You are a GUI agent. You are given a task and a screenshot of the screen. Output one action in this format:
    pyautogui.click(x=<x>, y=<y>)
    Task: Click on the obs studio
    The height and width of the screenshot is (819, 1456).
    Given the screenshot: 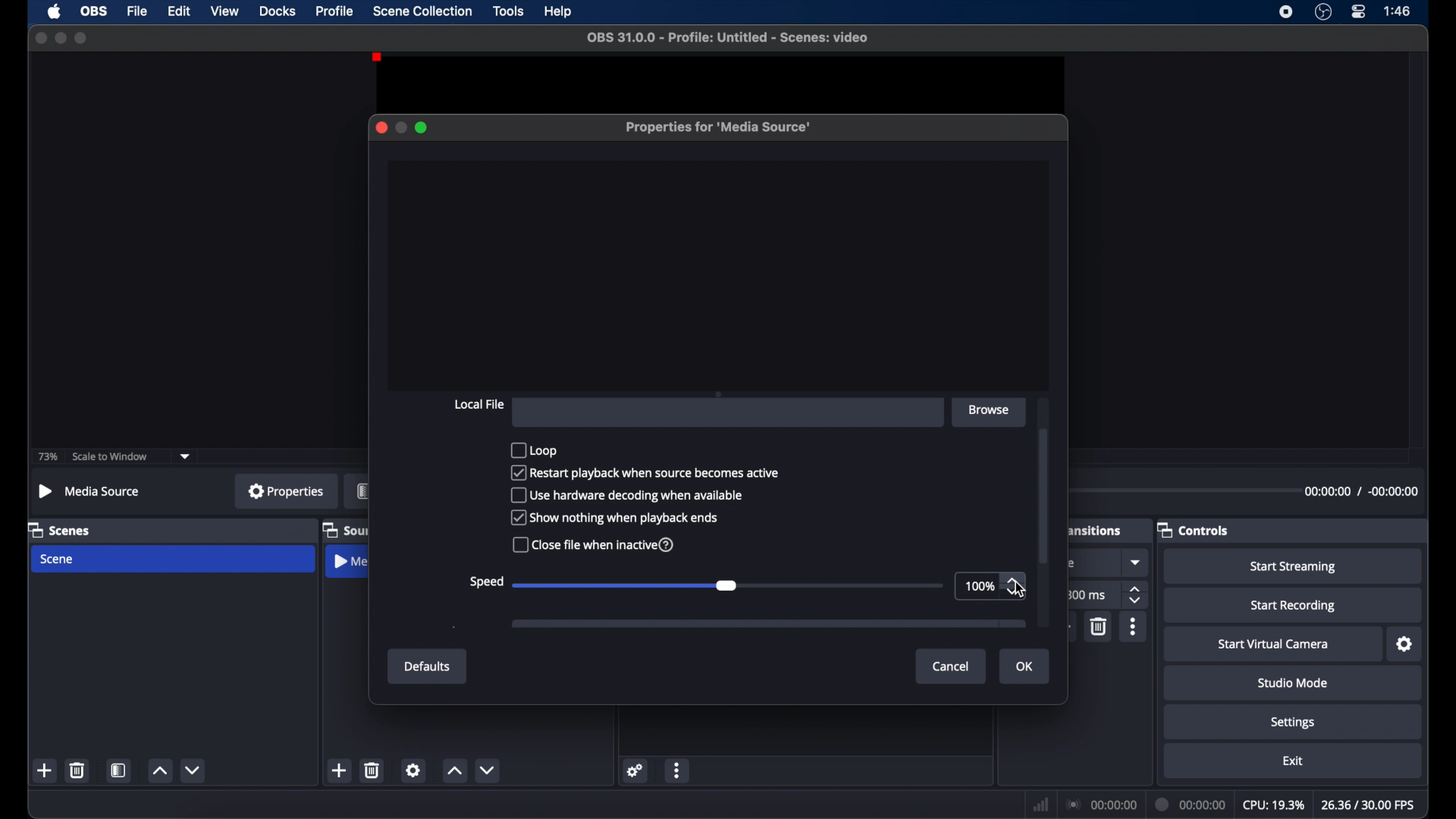 What is the action you would take?
    pyautogui.click(x=1323, y=11)
    